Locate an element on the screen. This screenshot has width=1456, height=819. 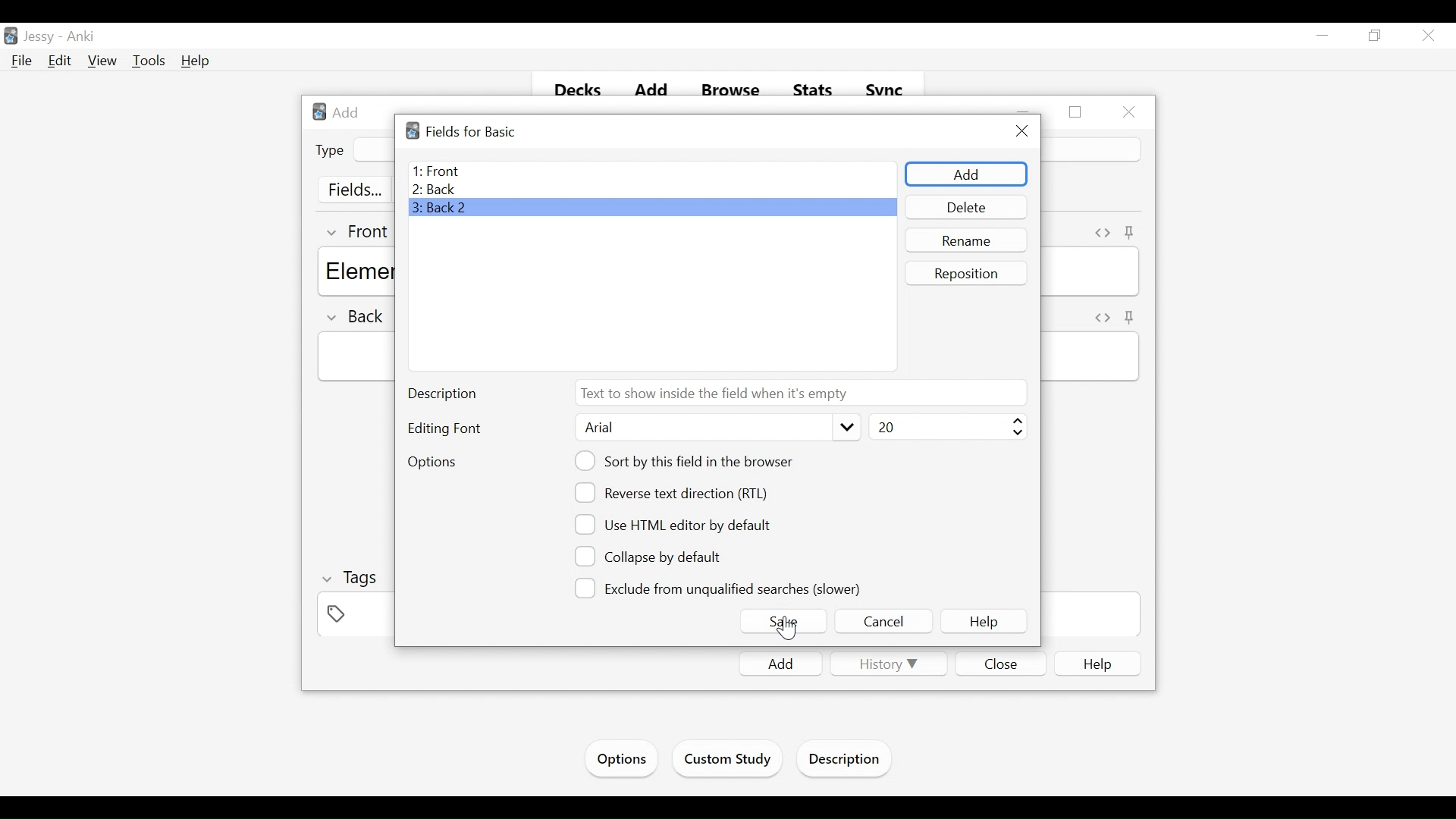
Front is located at coordinates (651, 168).